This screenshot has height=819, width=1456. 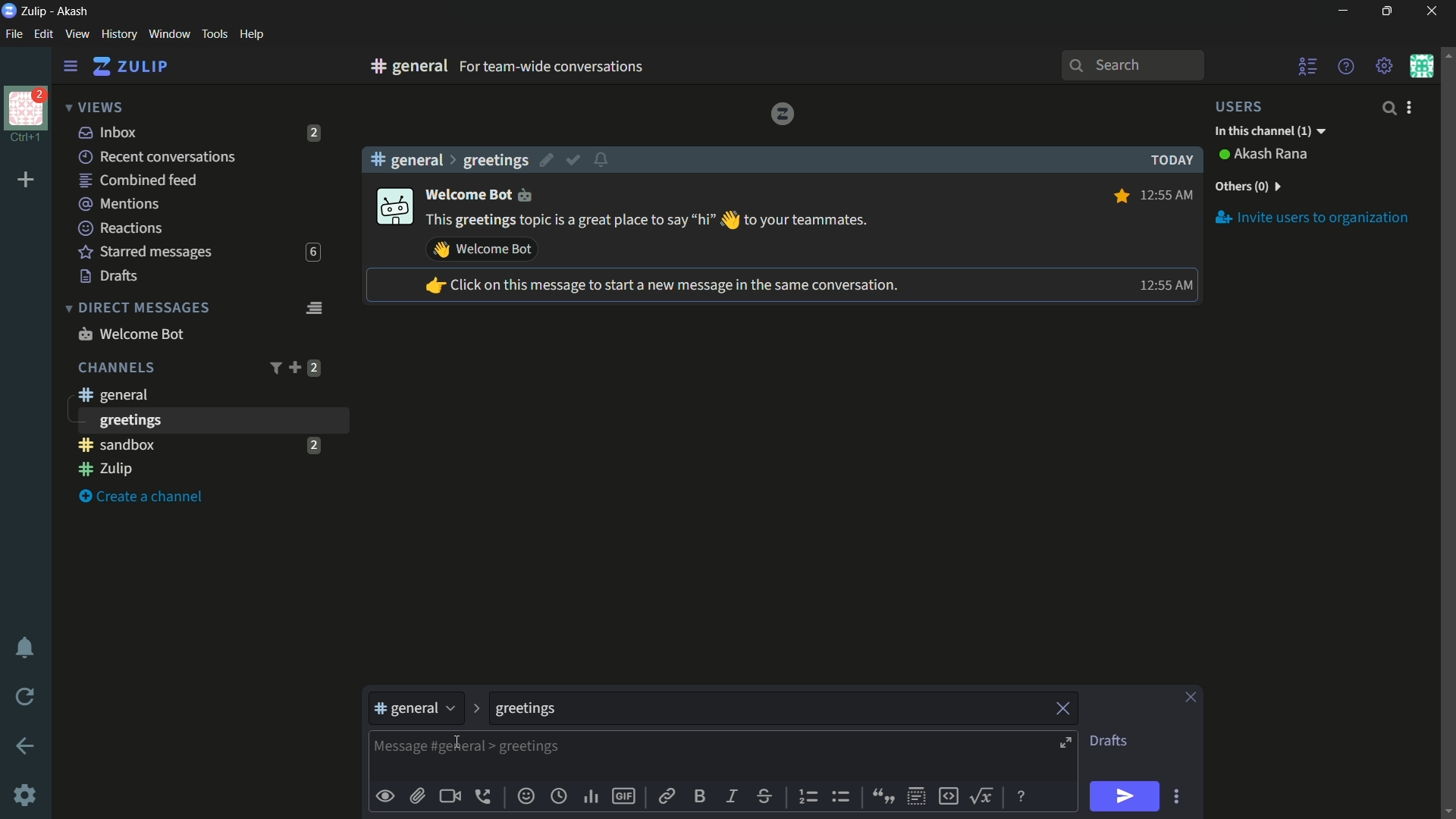 What do you see at coordinates (575, 161) in the screenshot?
I see `mark as resolved` at bounding box center [575, 161].